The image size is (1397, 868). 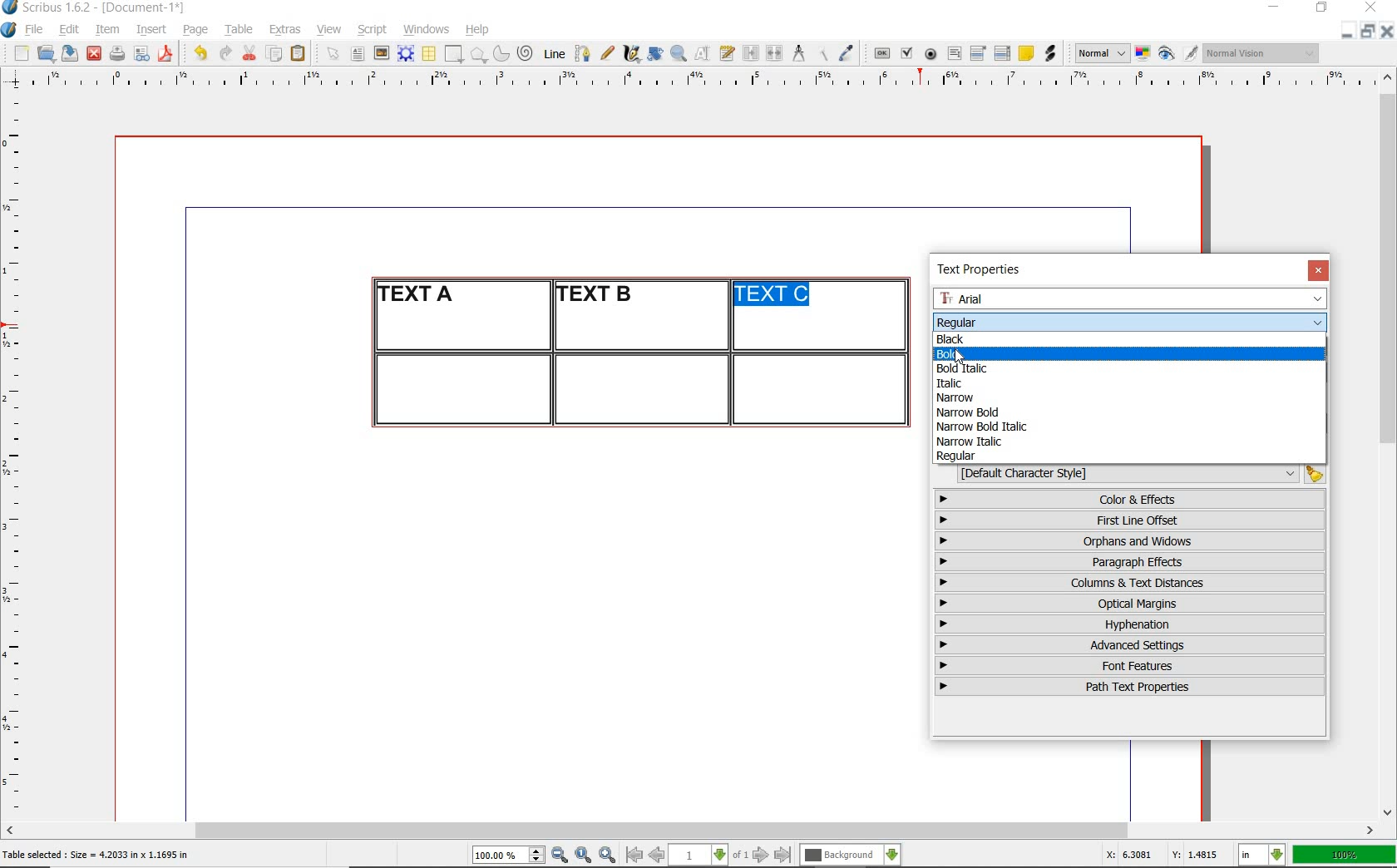 What do you see at coordinates (954, 55) in the screenshot?
I see `pdf text field` at bounding box center [954, 55].